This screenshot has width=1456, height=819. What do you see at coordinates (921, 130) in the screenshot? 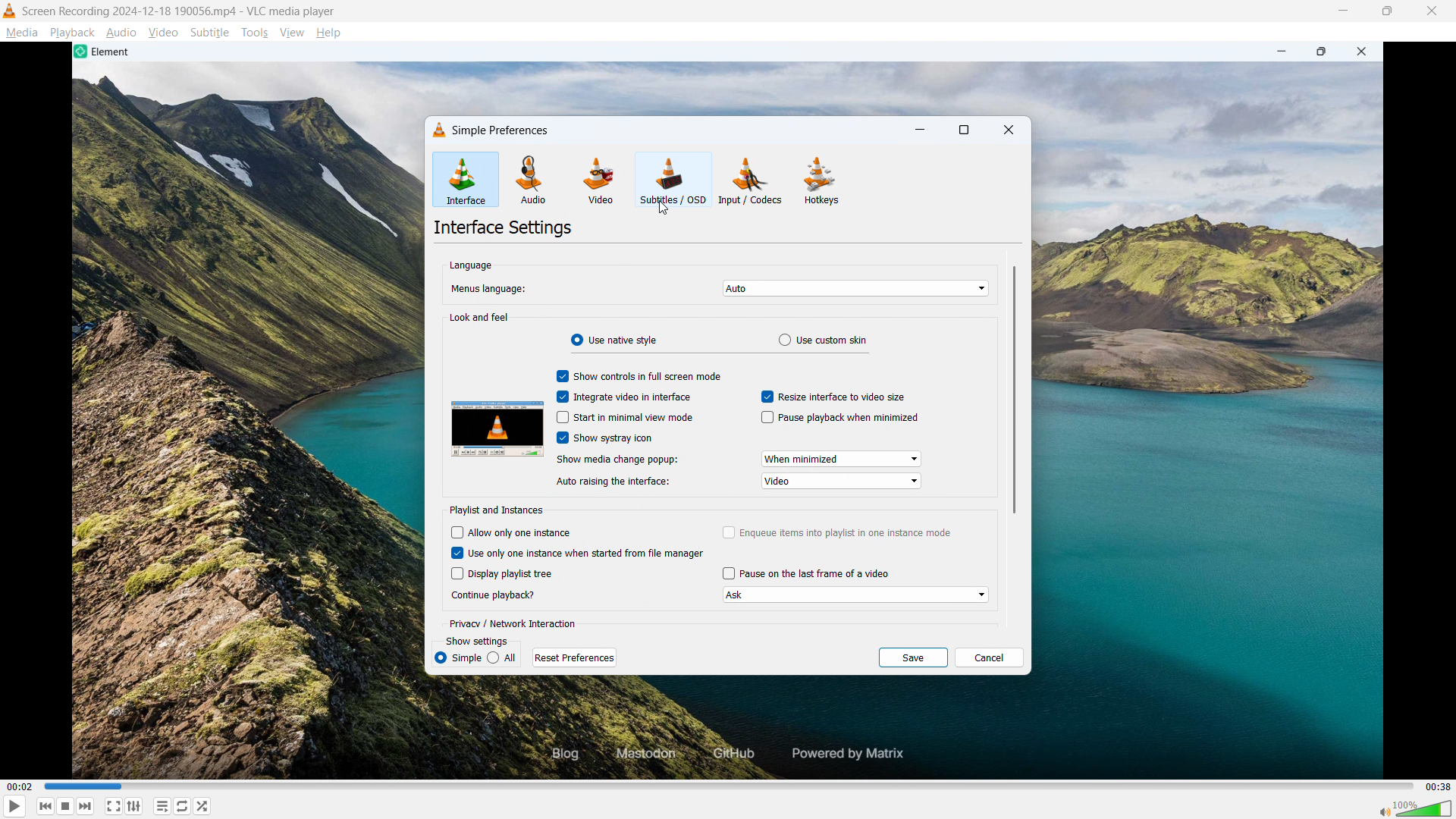
I see `minimize ` at bounding box center [921, 130].